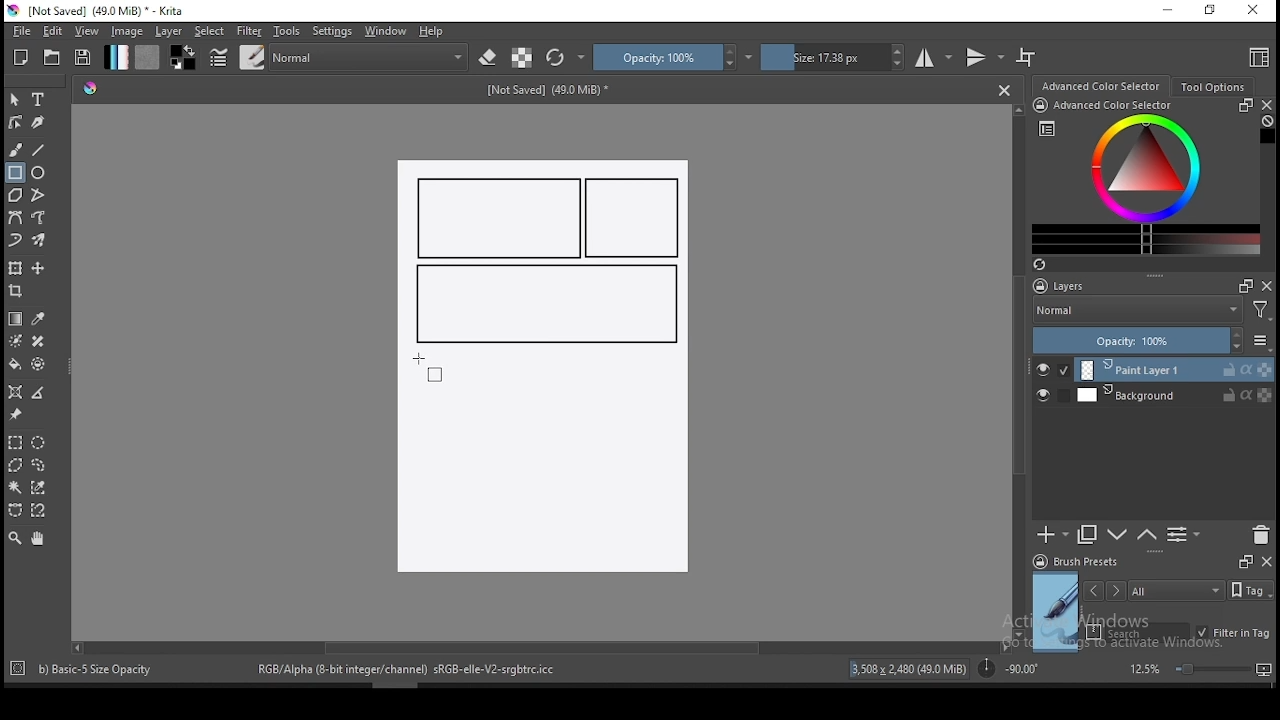  Describe the element at coordinates (15, 121) in the screenshot. I see `edit shapes tool` at that location.